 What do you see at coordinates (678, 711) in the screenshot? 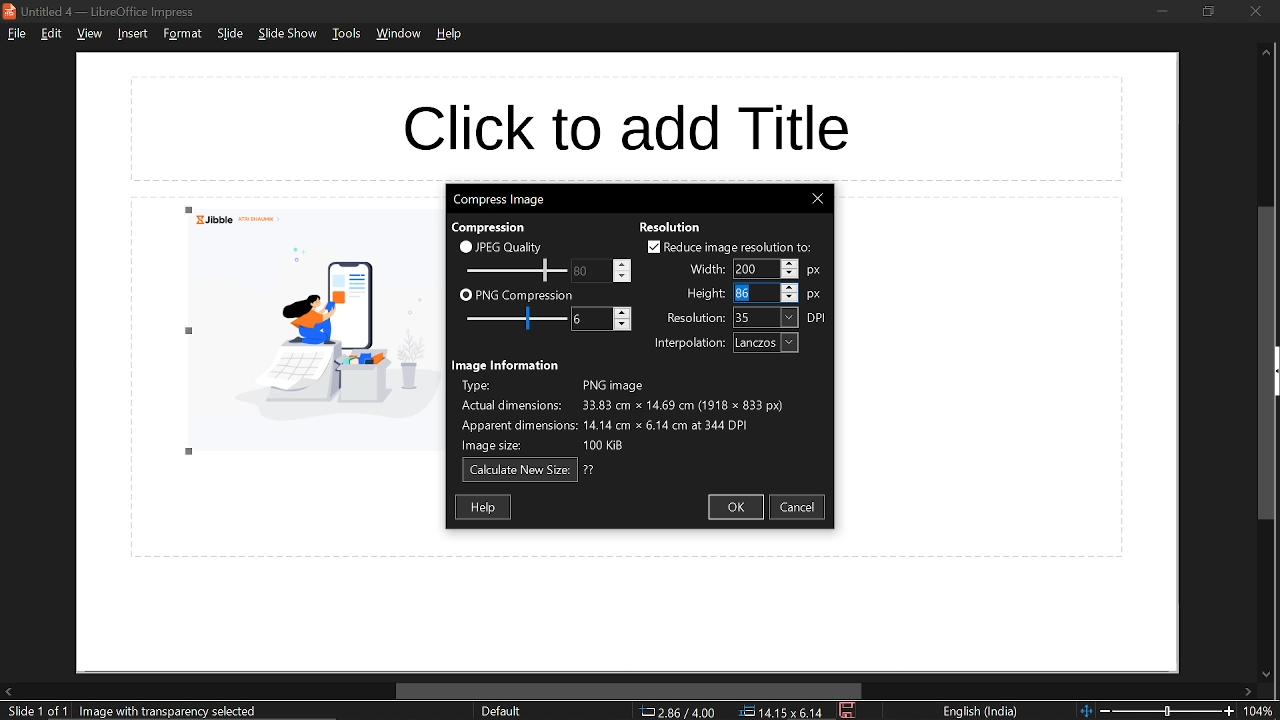
I see `co-ordinate` at bounding box center [678, 711].